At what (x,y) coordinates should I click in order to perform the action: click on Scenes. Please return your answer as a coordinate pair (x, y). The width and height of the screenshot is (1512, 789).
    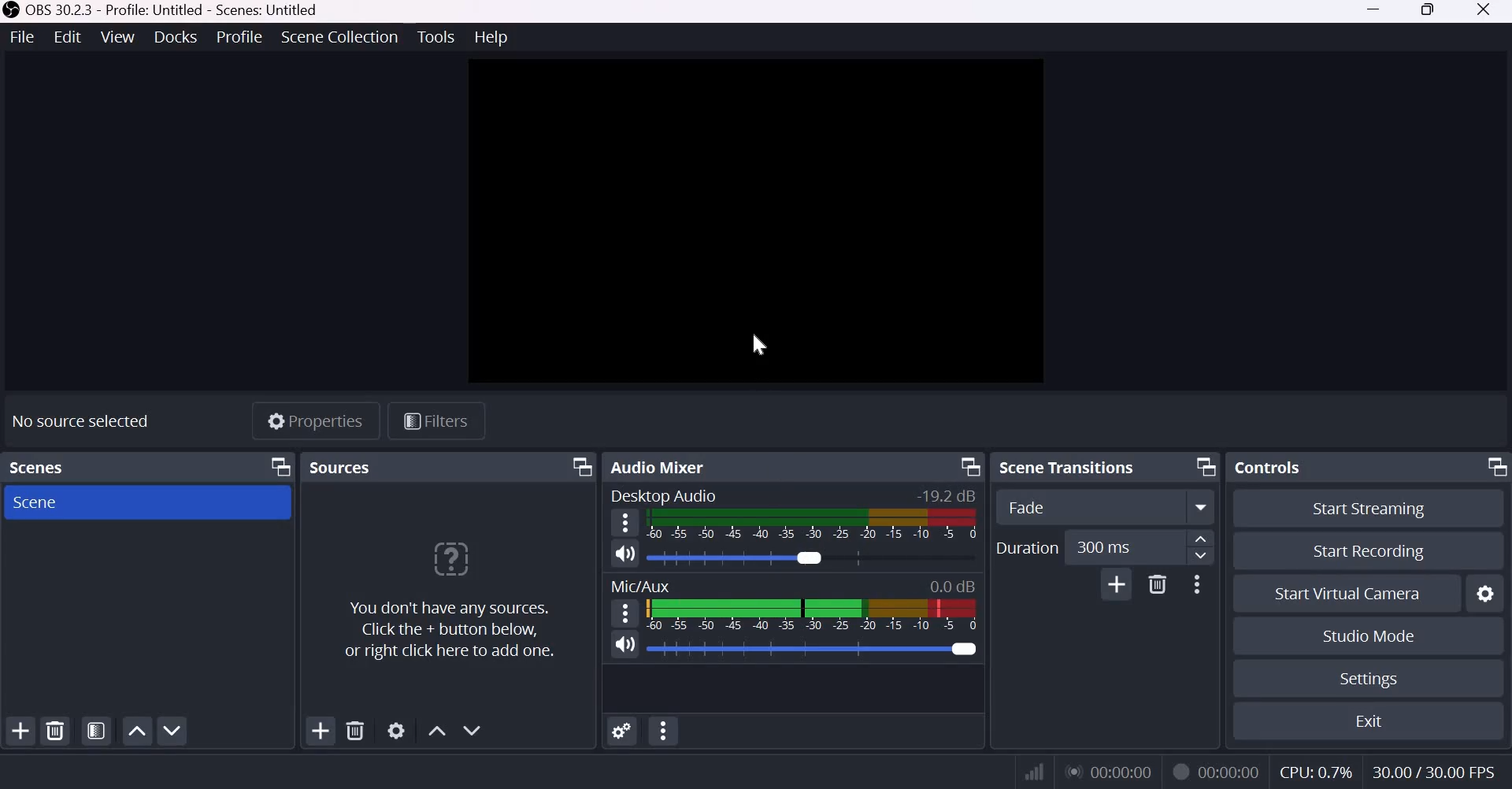
    Looking at the image, I should click on (43, 468).